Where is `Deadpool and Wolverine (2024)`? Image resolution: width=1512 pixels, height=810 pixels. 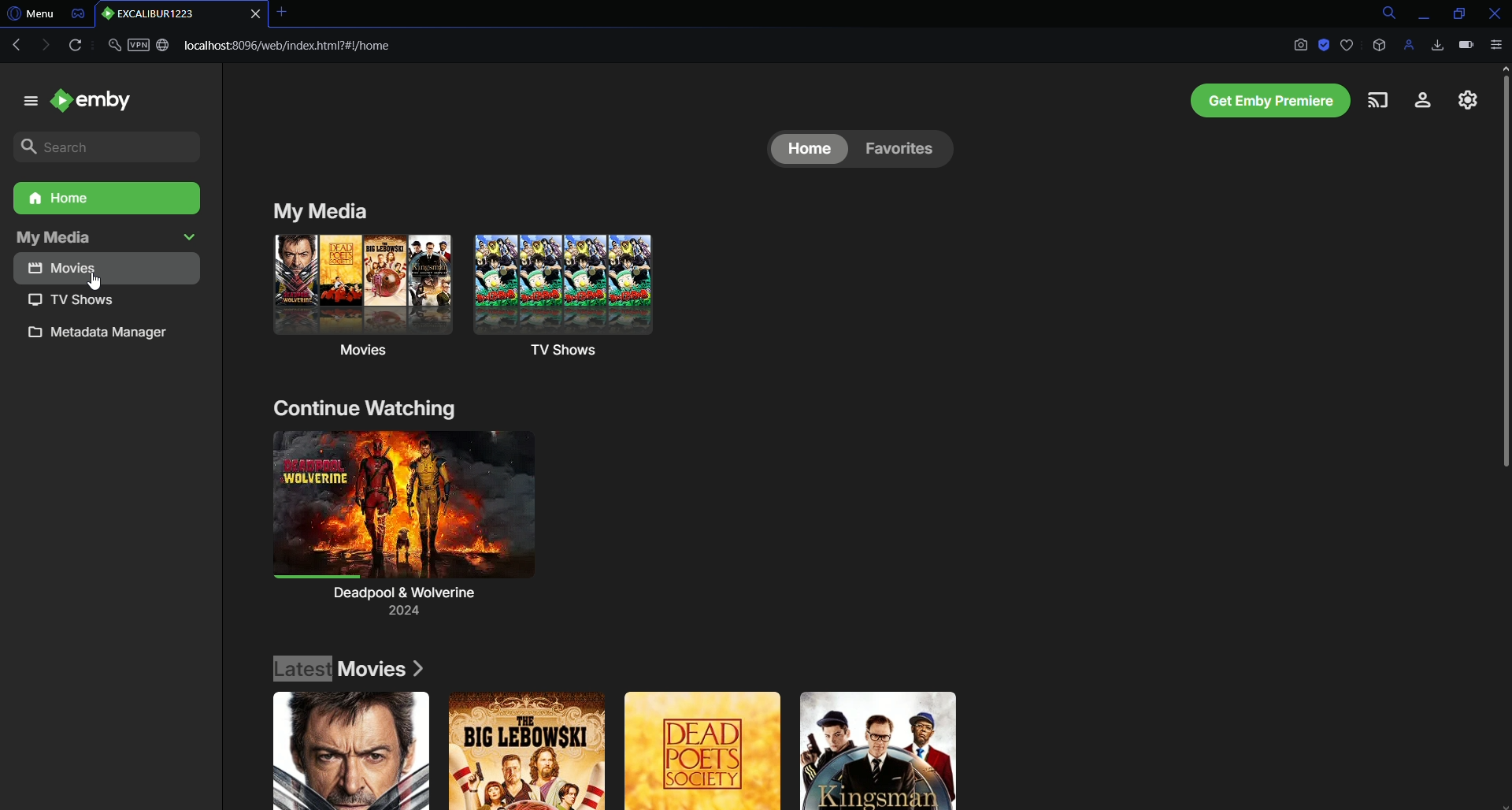
Deadpool and Wolverine (2024) is located at coordinates (398, 609).